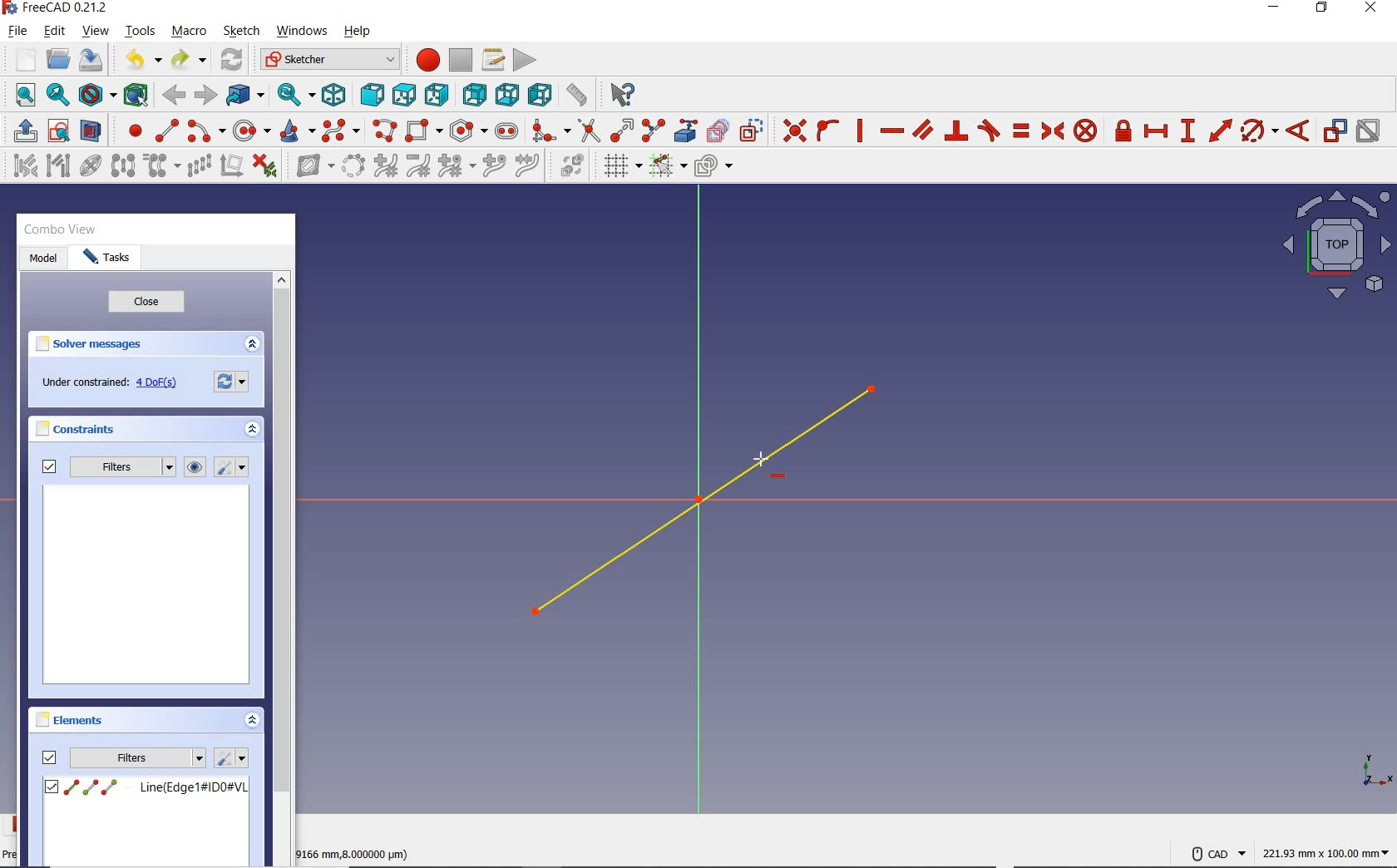  What do you see at coordinates (622, 166) in the screenshot?
I see `TOGGLE GRID` at bounding box center [622, 166].